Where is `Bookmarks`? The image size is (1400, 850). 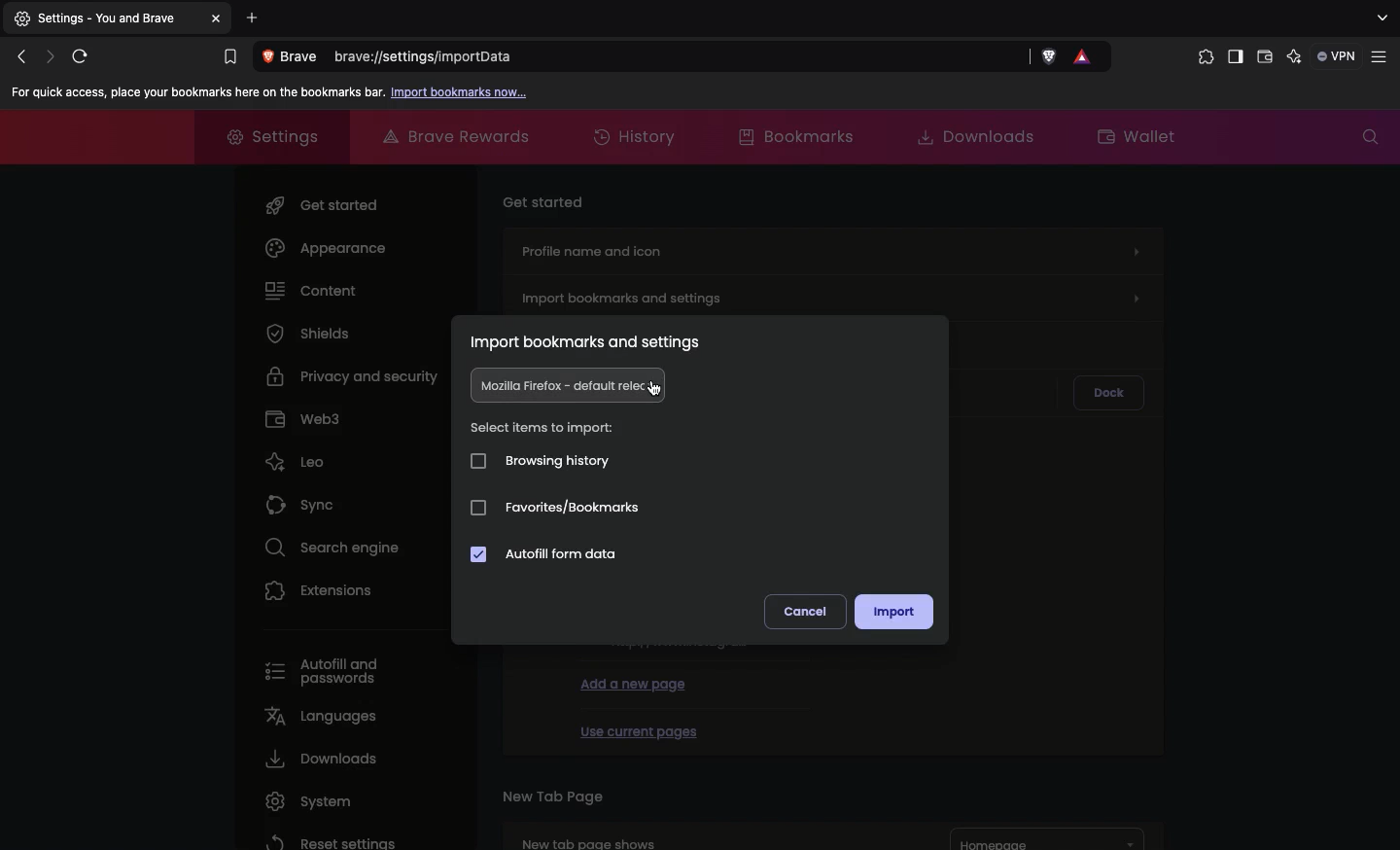 Bookmarks is located at coordinates (228, 57).